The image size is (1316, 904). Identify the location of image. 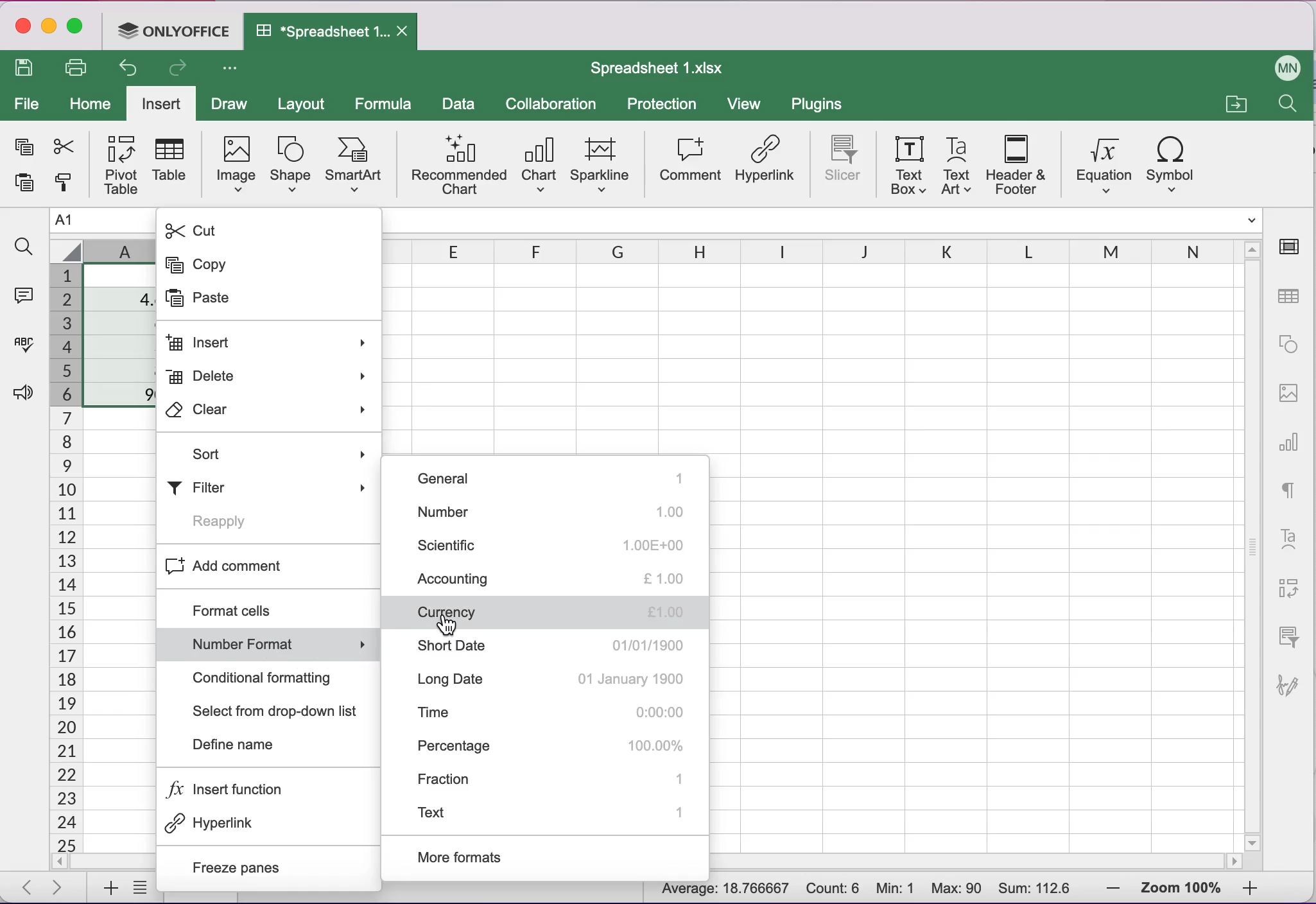
(1290, 392).